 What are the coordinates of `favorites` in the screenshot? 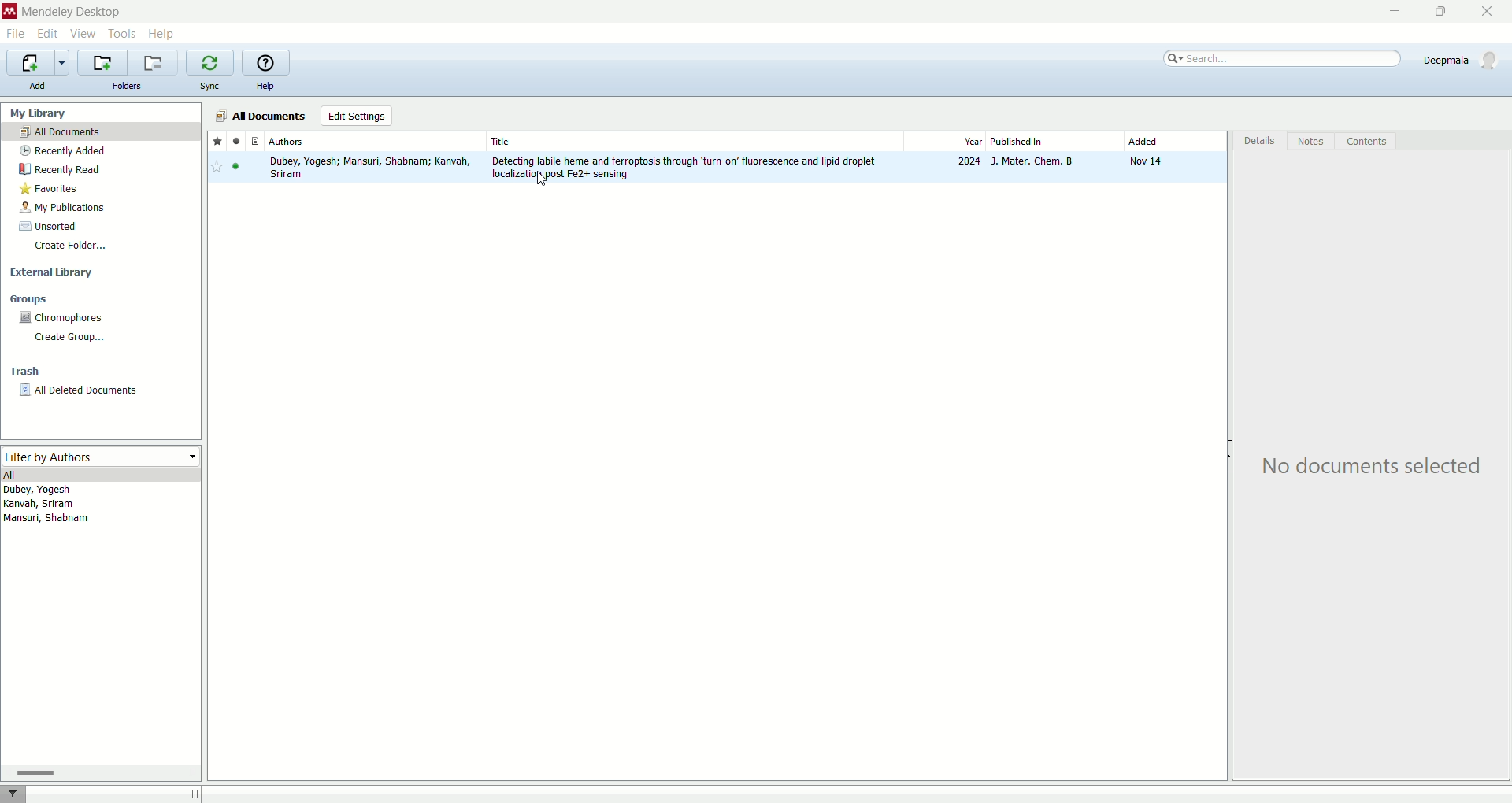 It's located at (49, 190).